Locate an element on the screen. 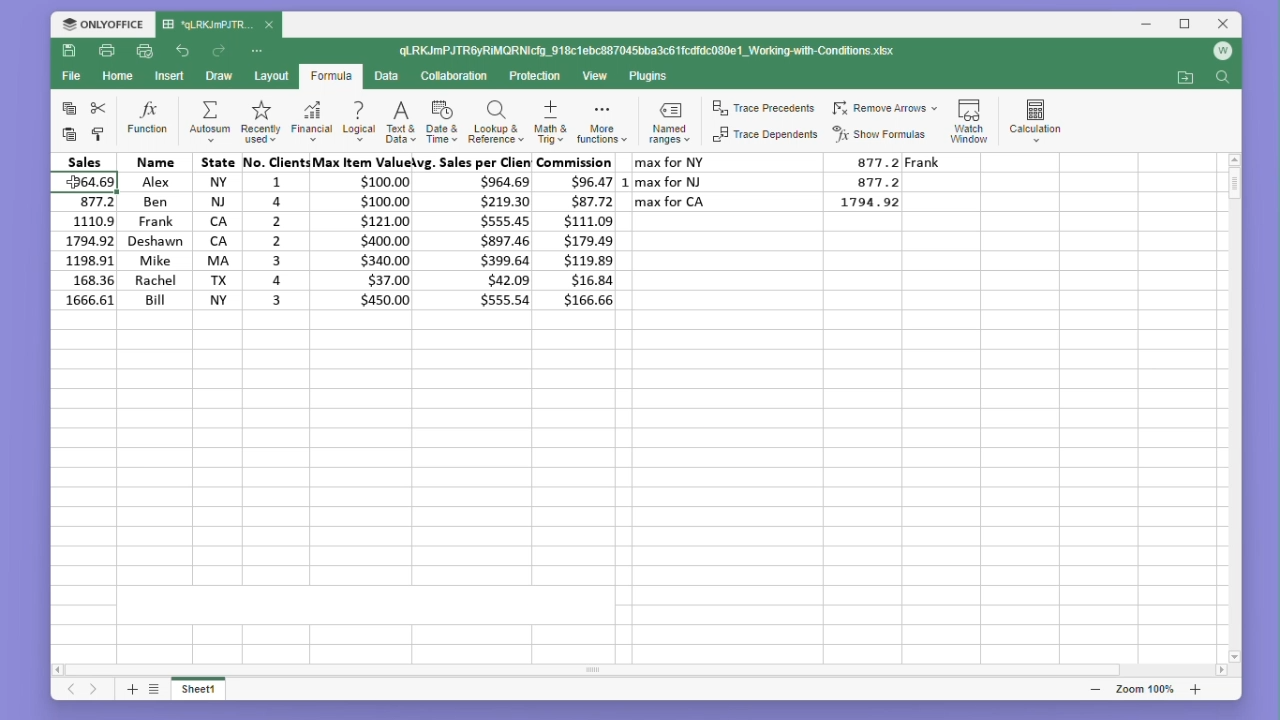  Data is located at coordinates (385, 76).